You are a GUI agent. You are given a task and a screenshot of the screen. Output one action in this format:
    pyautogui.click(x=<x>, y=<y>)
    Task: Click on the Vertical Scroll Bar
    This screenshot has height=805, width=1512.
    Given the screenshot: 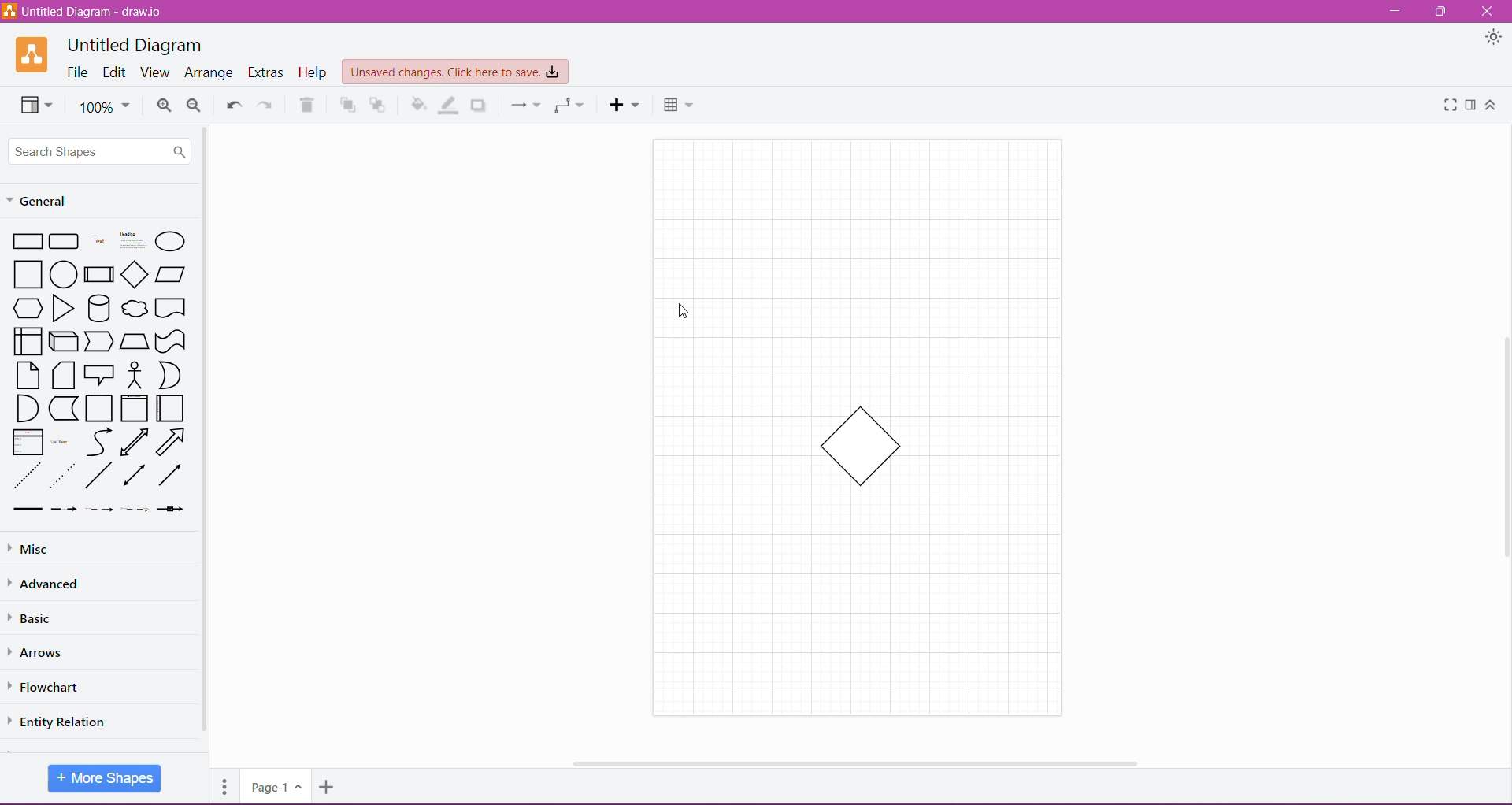 What is the action you would take?
    pyautogui.click(x=1503, y=451)
    